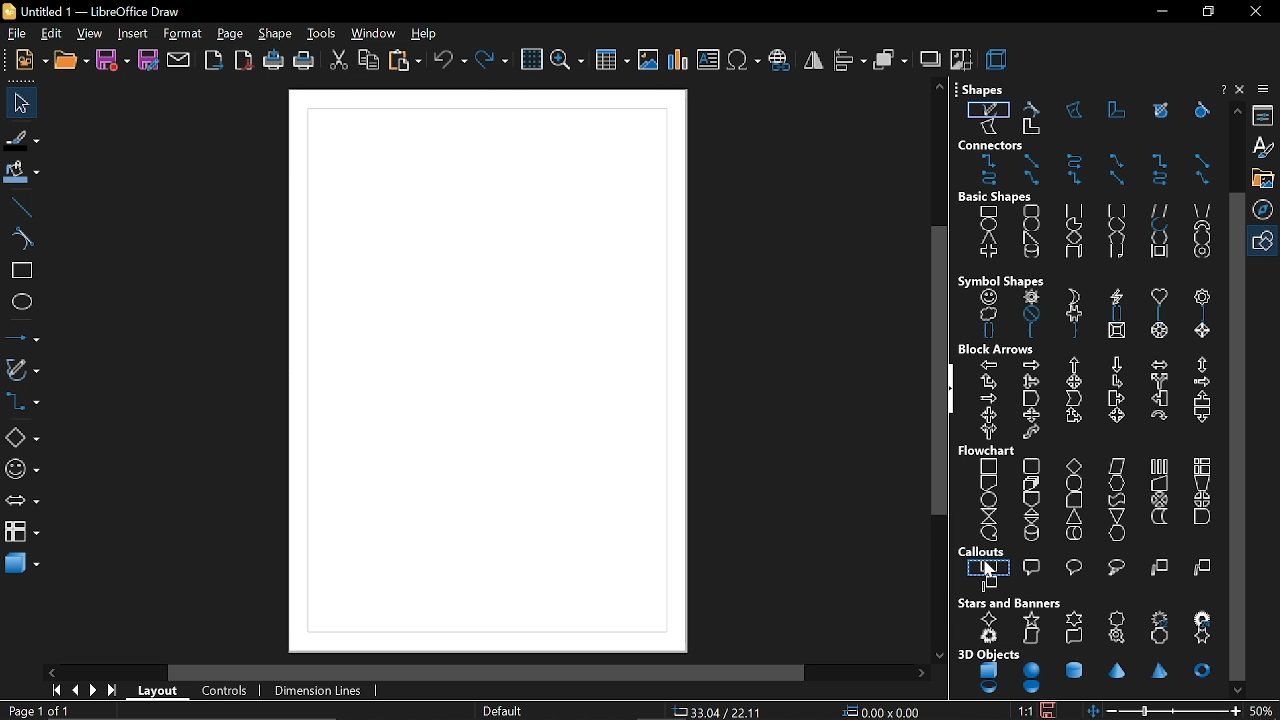  What do you see at coordinates (1203, 670) in the screenshot?
I see `torus` at bounding box center [1203, 670].